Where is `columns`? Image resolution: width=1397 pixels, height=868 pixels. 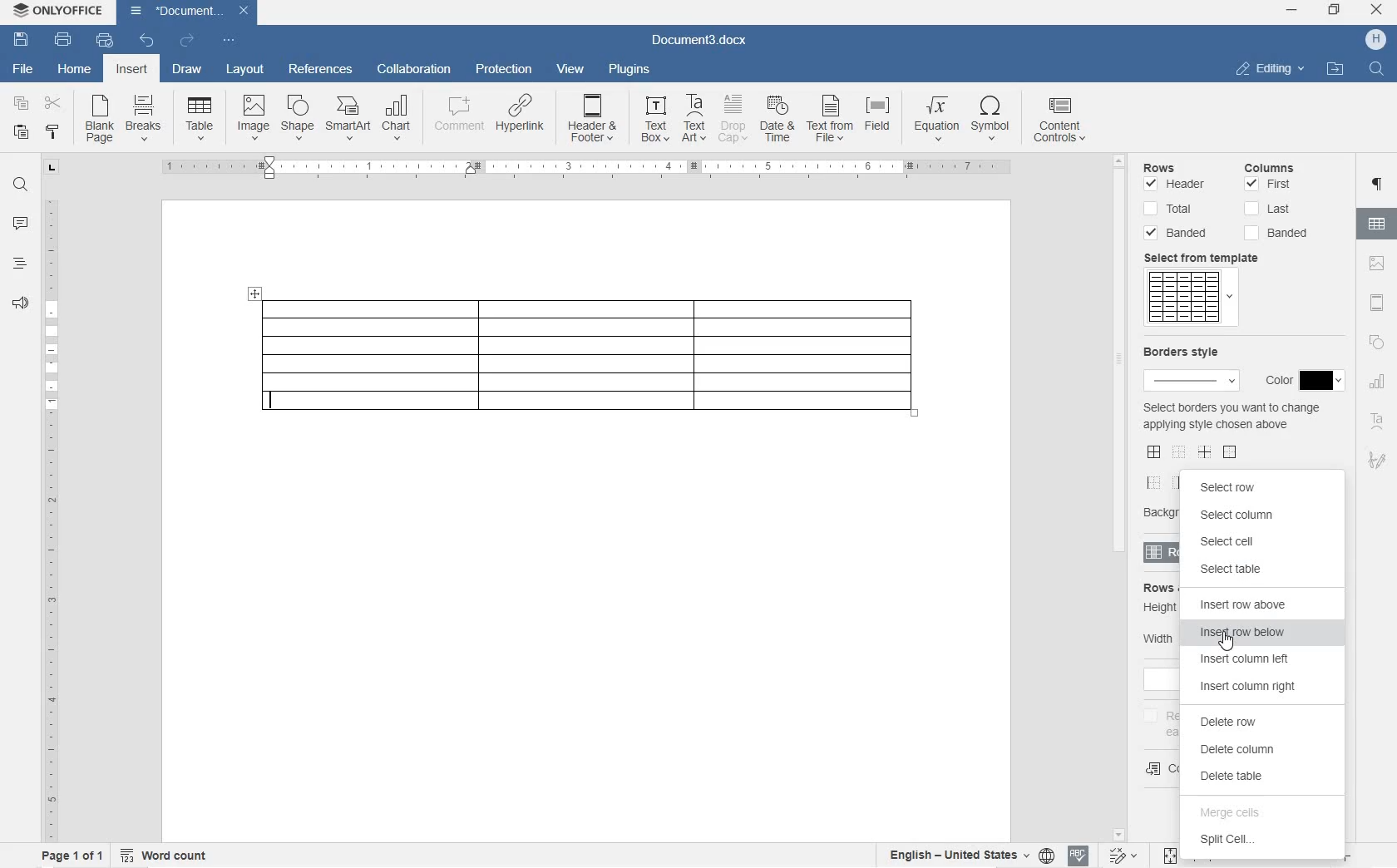 columns is located at coordinates (1279, 165).